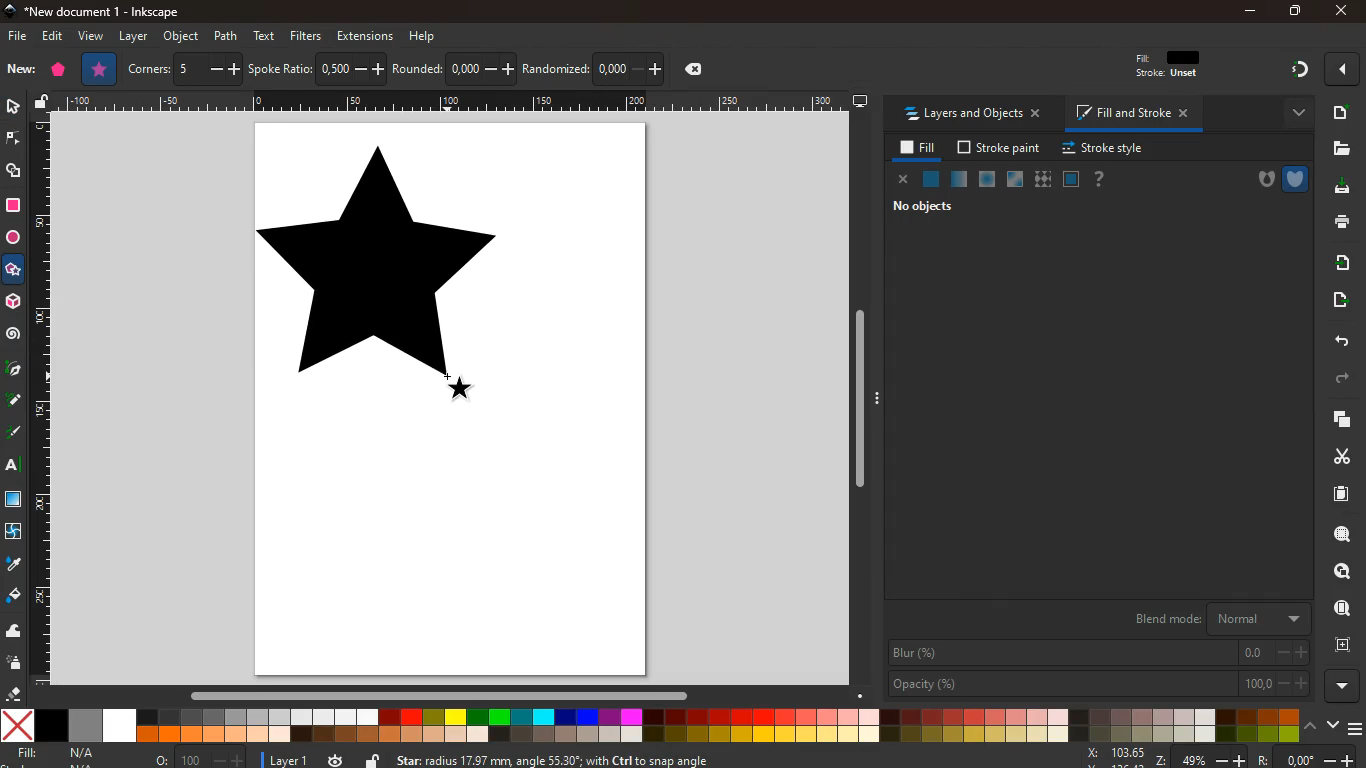  I want to click on square, so click(13, 501).